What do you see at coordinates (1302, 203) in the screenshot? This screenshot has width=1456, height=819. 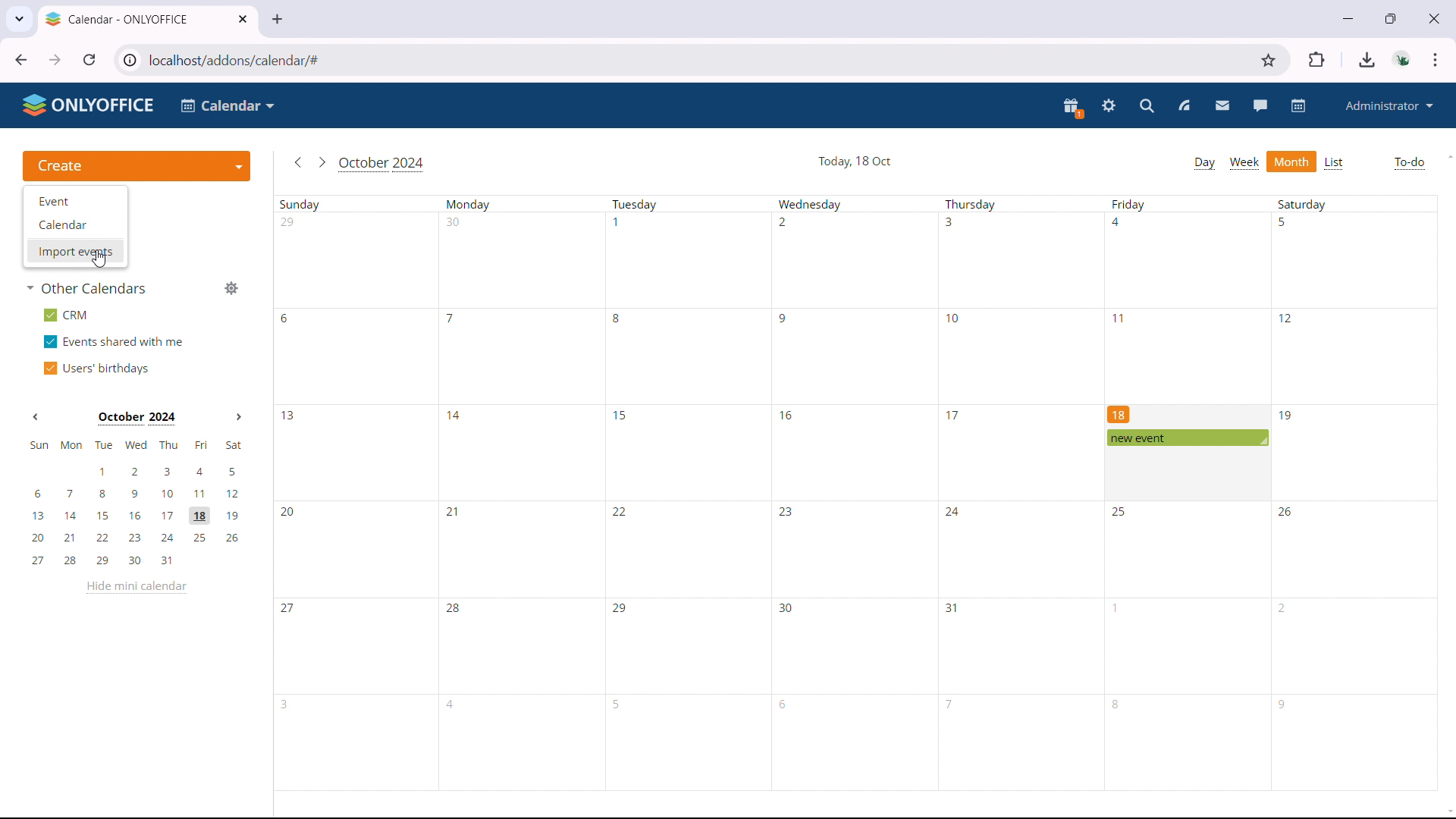 I see `Saturday` at bounding box center [1302, 203].